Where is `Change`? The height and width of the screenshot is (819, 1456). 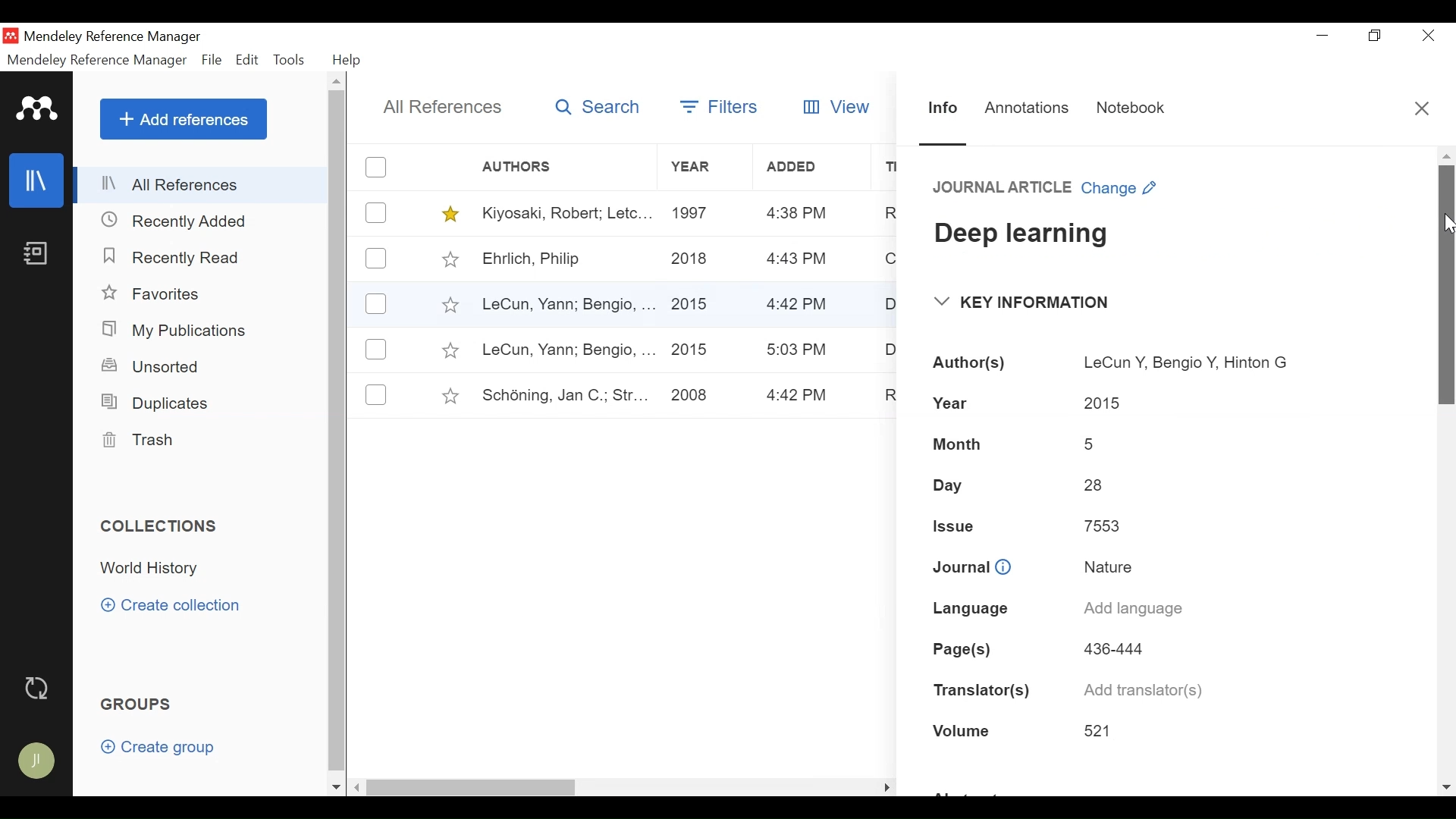 Change is located at coordinates (1122, 190).